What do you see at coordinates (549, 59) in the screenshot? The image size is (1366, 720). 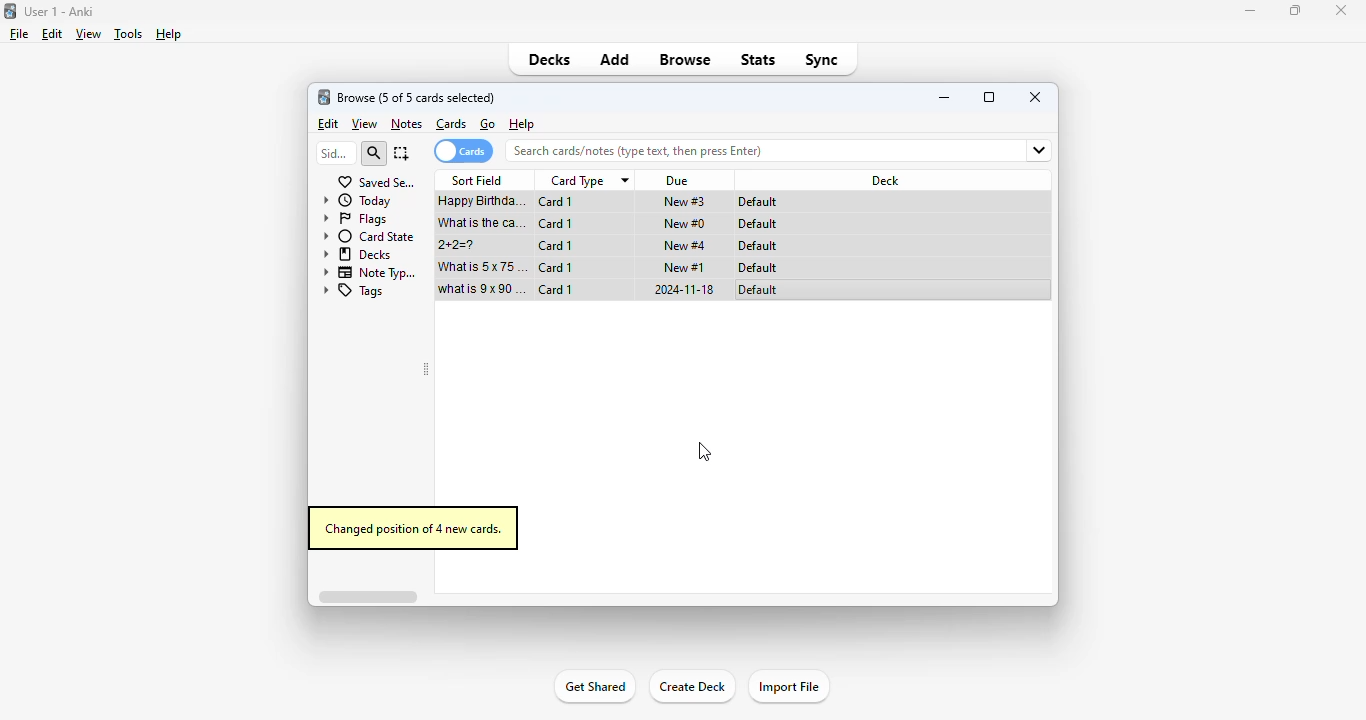 I see `decks` at bounding box center [549, 59].